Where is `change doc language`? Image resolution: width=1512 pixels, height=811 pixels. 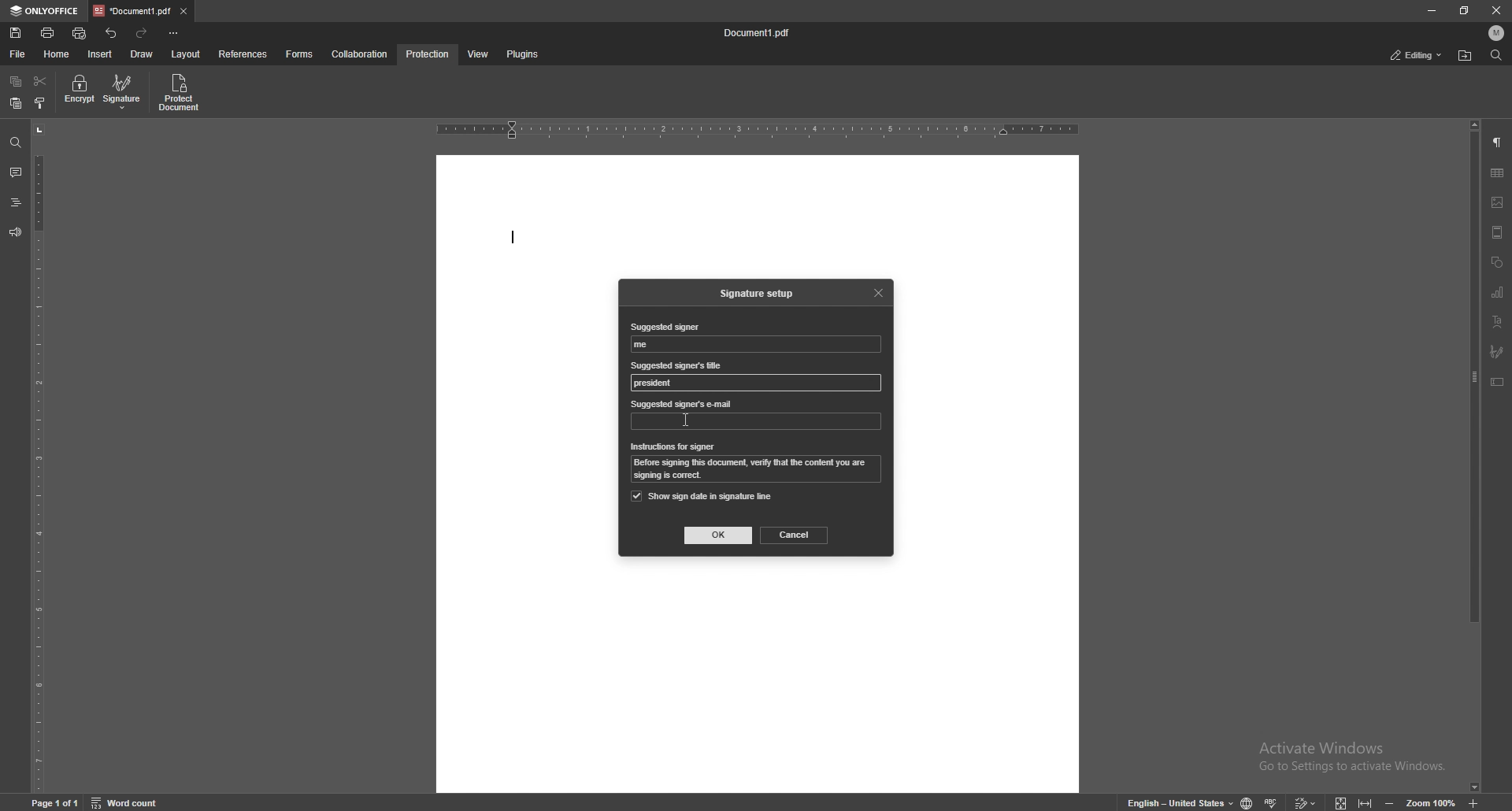
change doc language is located at coordinates (1241, 802).